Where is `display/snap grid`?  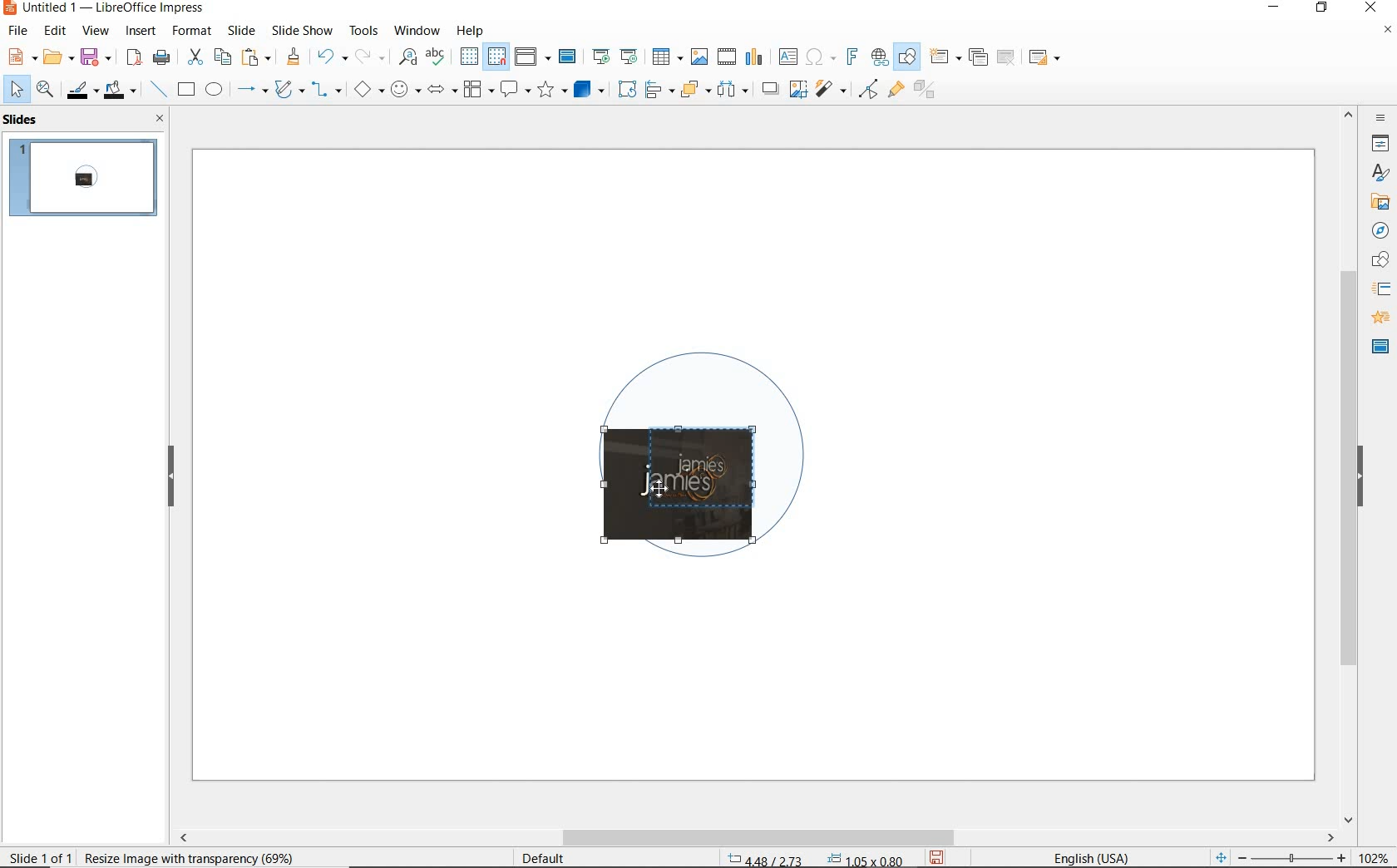 display/snap grid is located at coordinates (481, 57).